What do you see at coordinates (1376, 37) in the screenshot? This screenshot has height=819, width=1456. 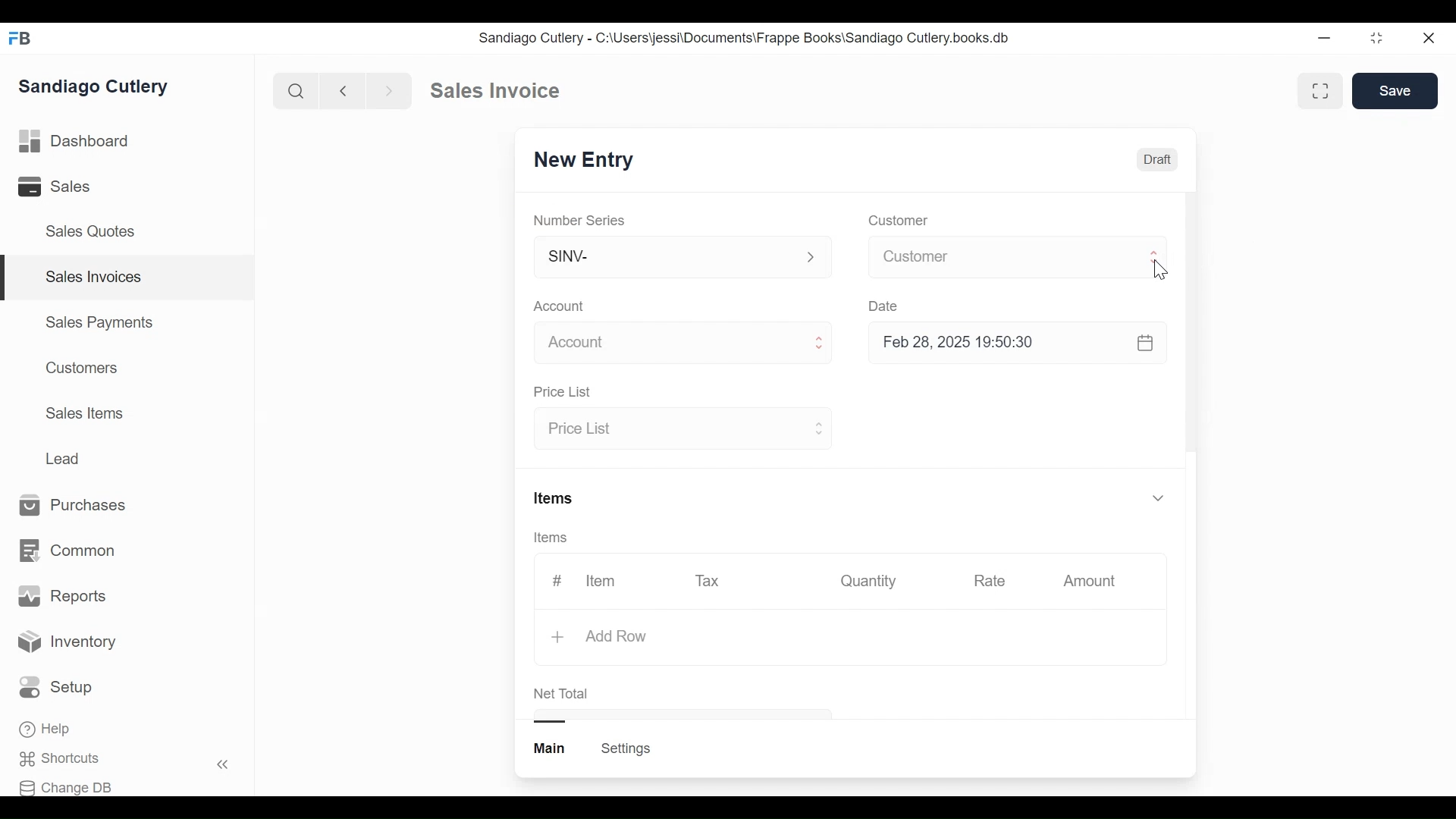 I see `restore` at bounding box center [1376, 37].